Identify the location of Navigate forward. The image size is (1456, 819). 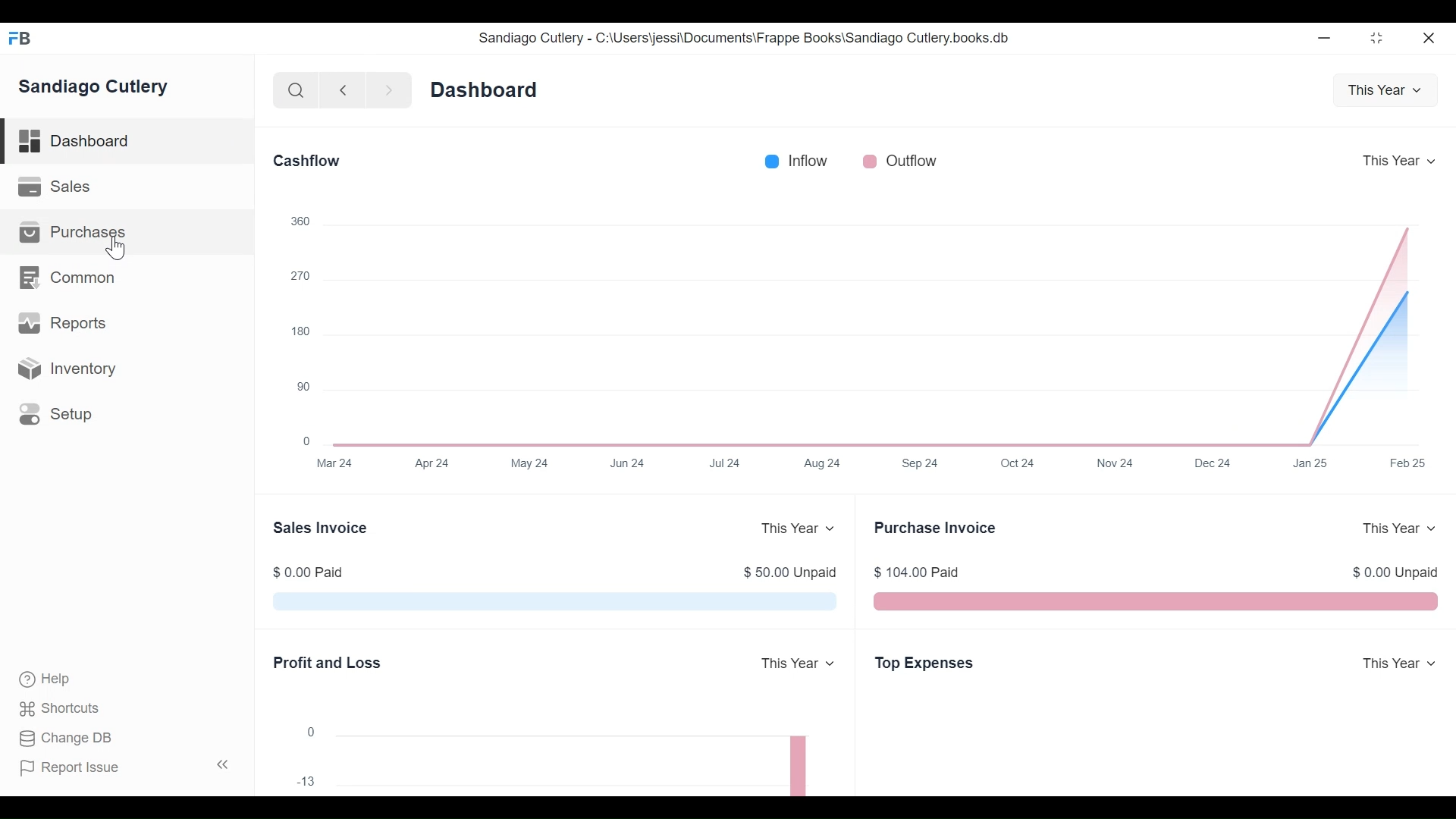
(388, 89).